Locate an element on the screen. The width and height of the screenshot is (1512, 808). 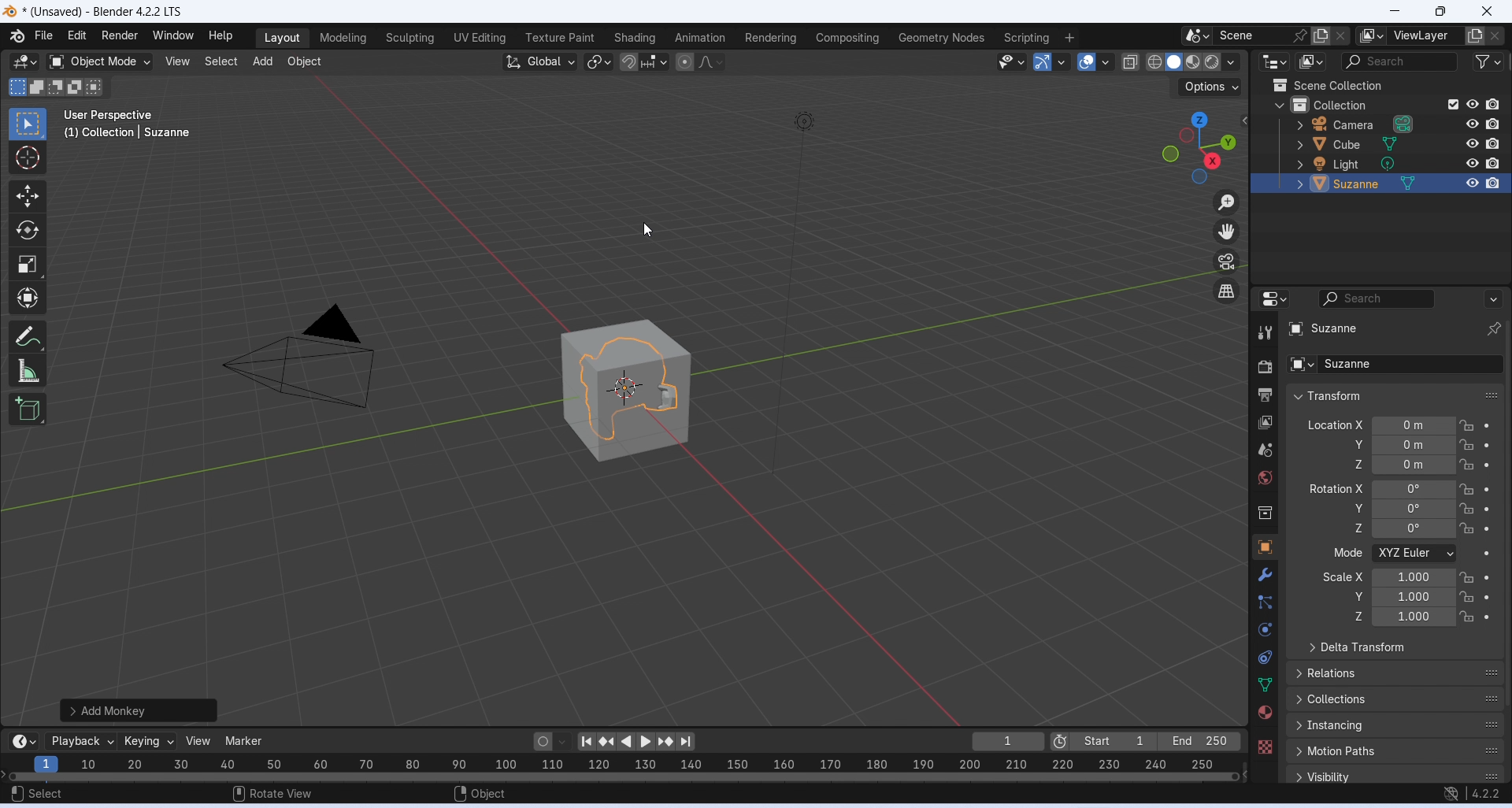
add monkey is located at coordinates (141, 710).